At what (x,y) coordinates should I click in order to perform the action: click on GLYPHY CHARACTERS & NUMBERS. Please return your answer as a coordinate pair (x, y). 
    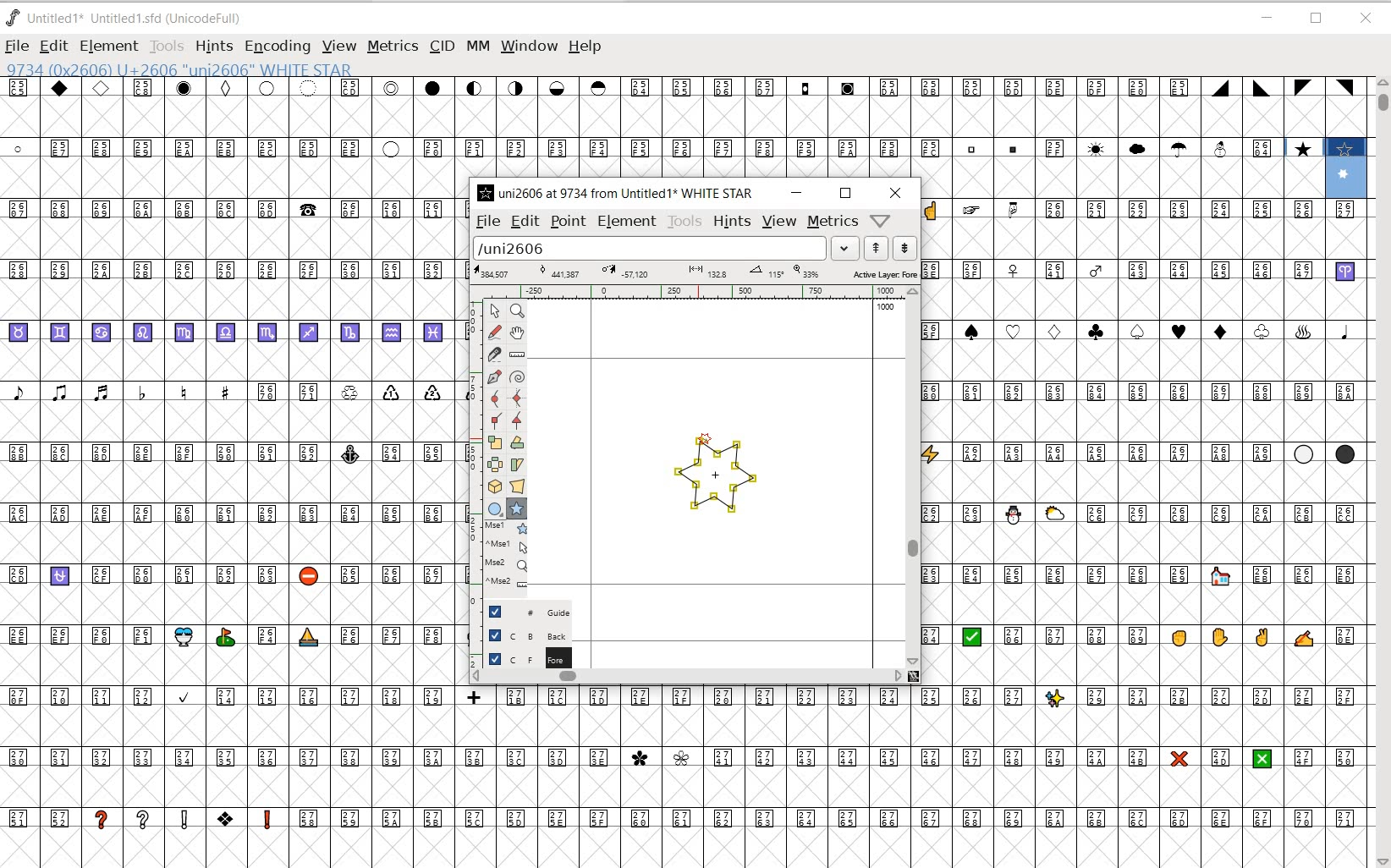
    Looking at the image, I should click on (658, 127).